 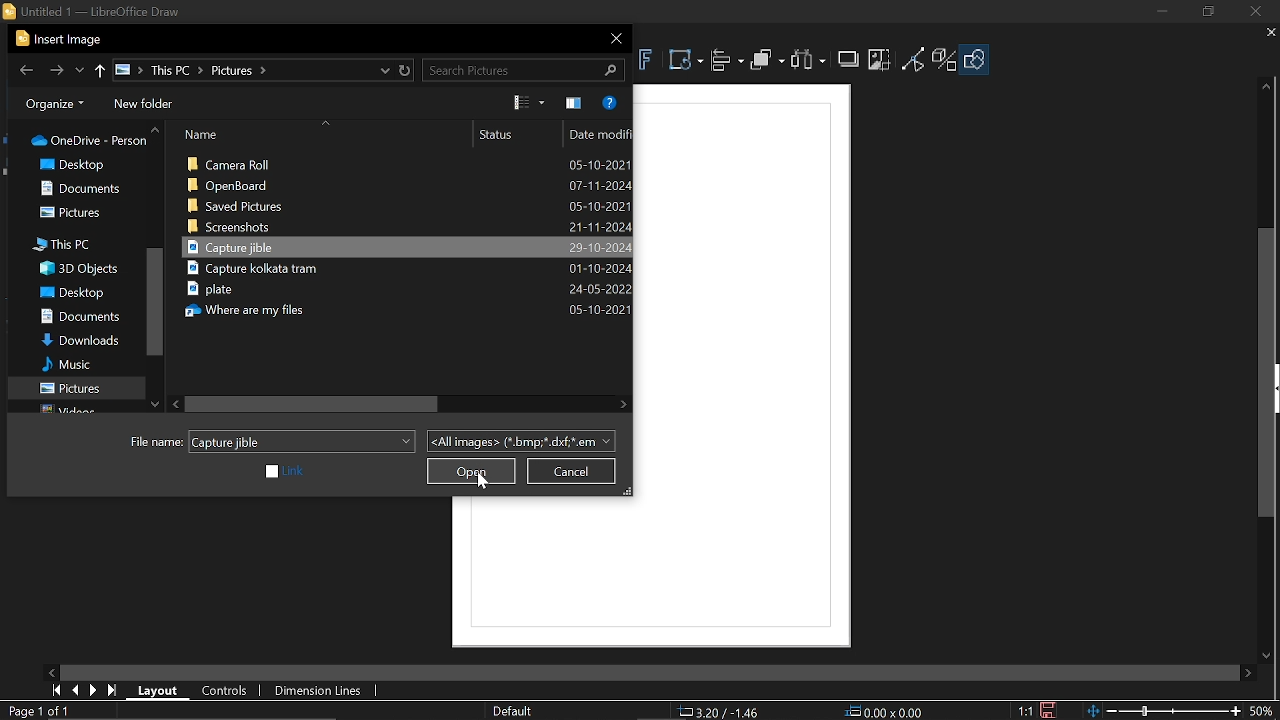 What do you see at coordinates (1048, 710) in the screenshot?
I see `Click to save` at bounding box center [1048, 710].